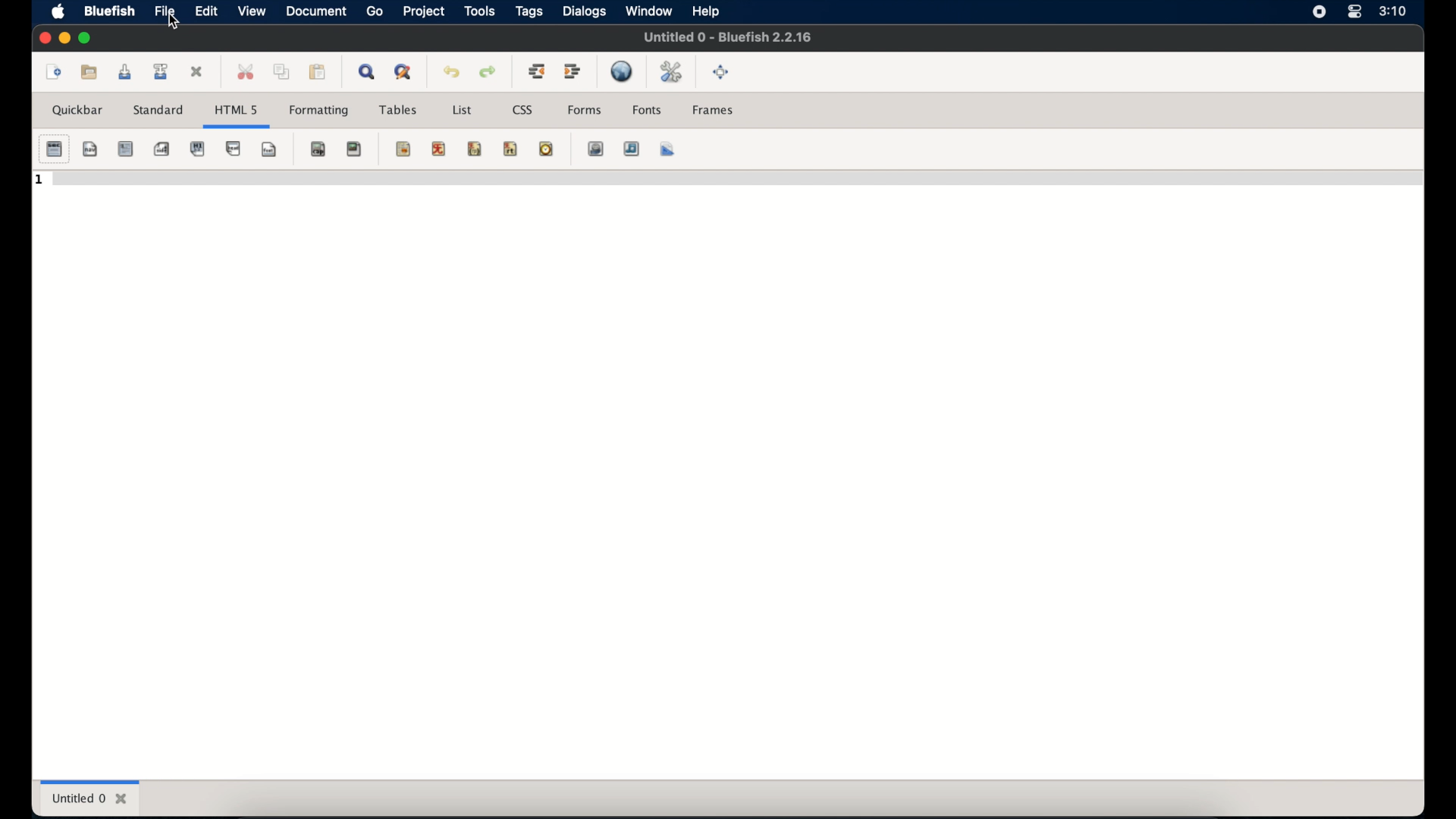 This screenshot has width=1456, height=819. I want to click on figure, so click(355, 149).